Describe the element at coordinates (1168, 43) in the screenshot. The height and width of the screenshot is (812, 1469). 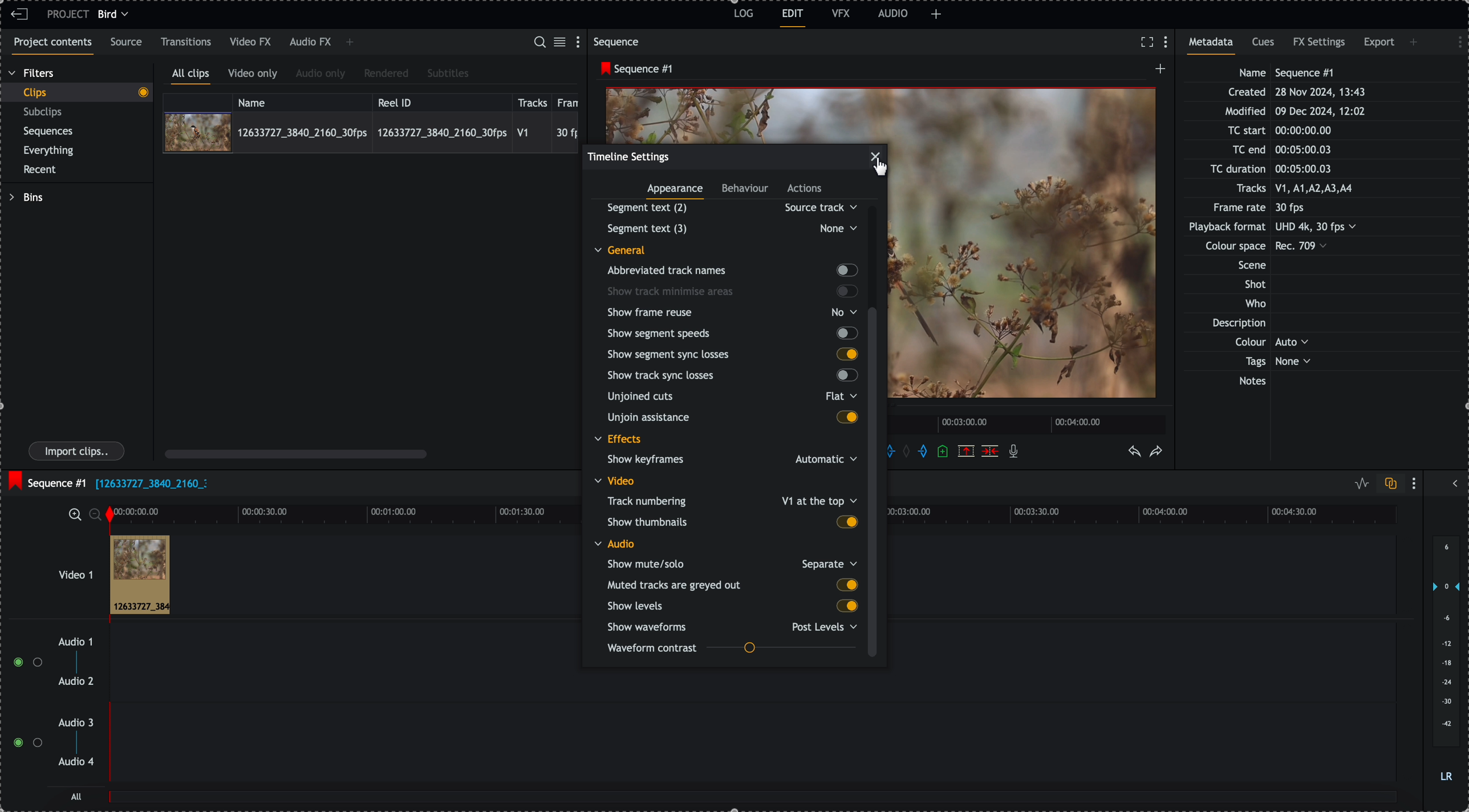
I see `show settings menu` at that location.